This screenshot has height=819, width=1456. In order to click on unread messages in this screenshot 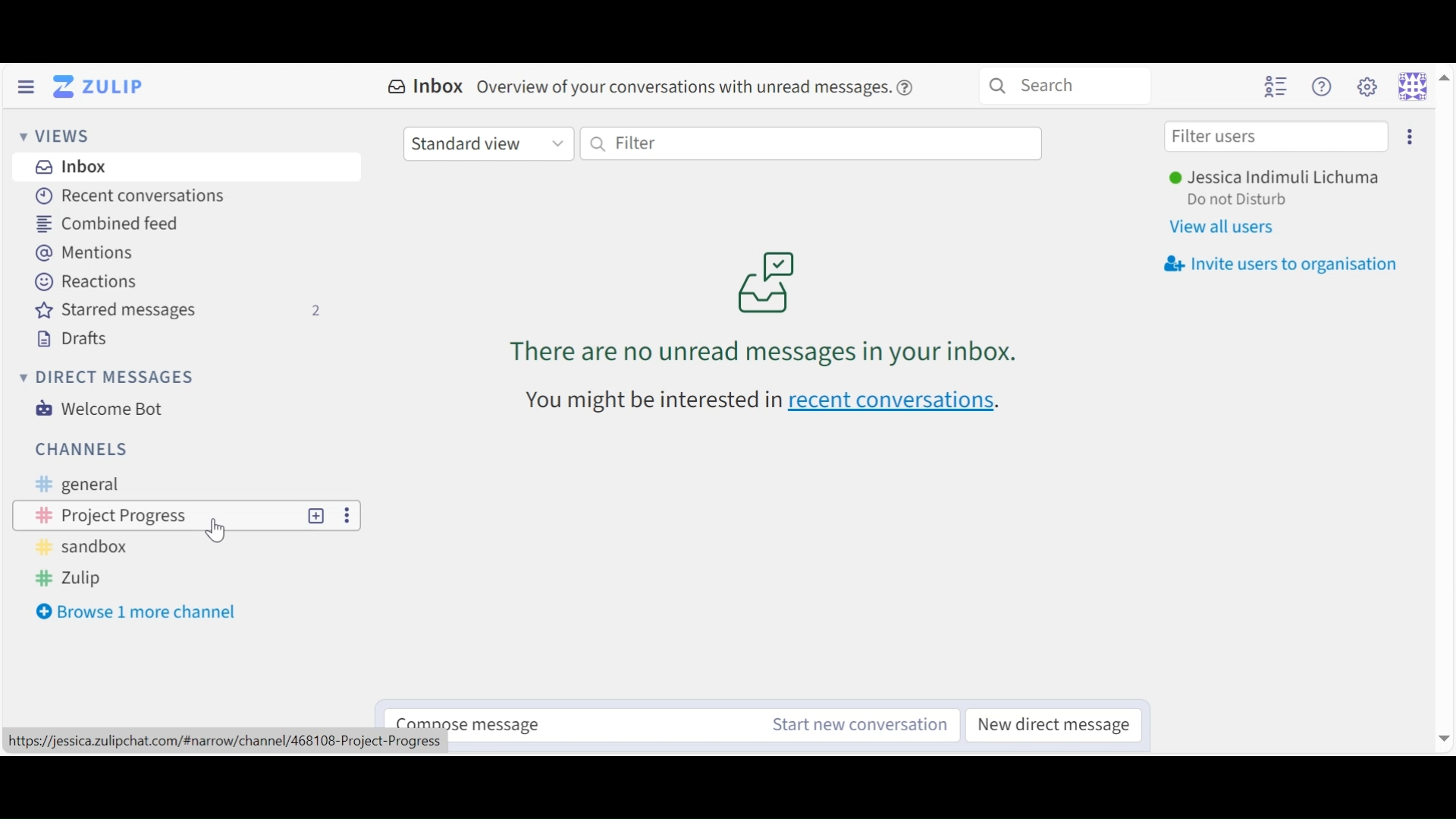, I will do `click(778, 307)`.